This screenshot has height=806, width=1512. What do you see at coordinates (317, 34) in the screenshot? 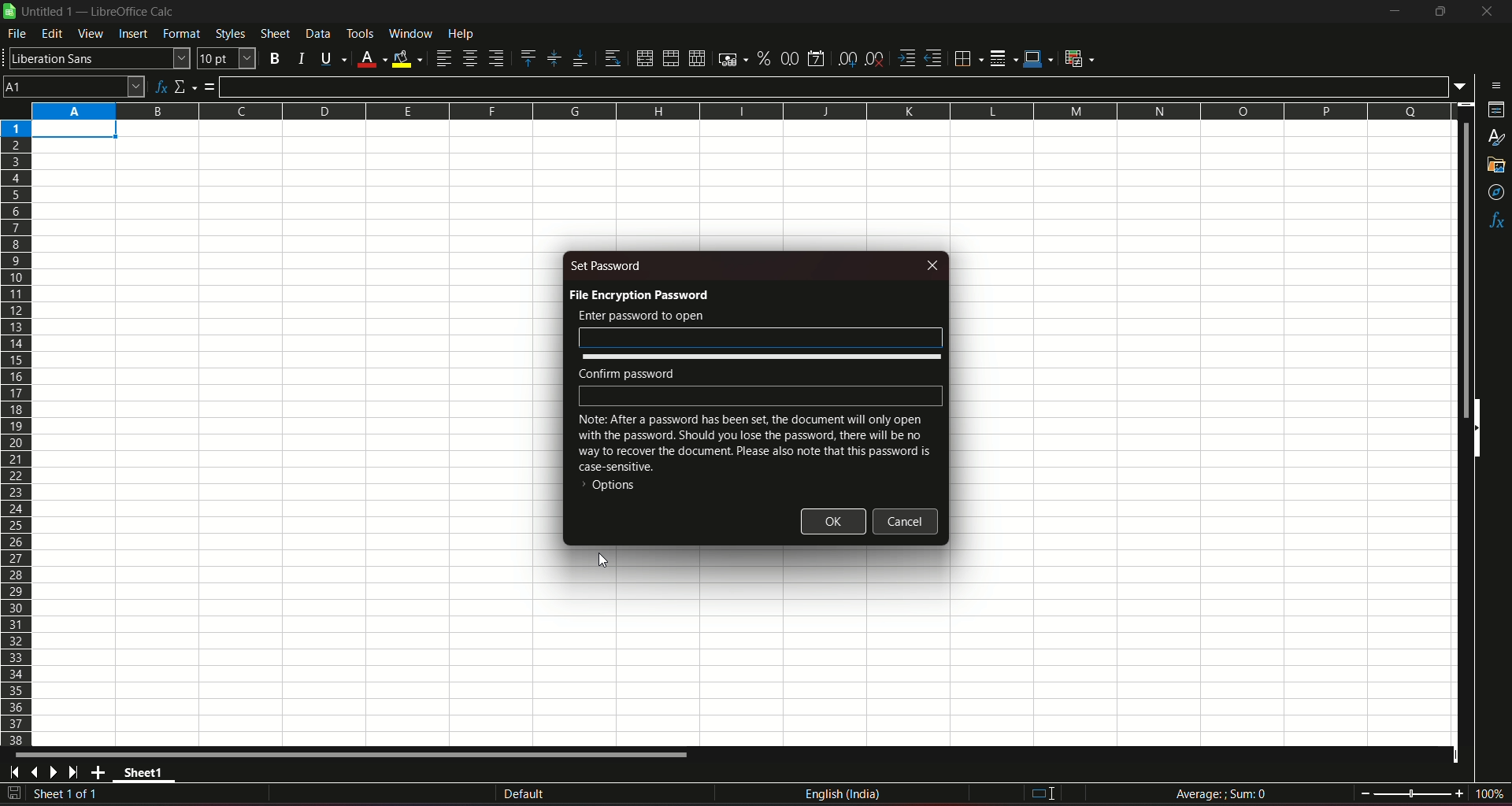
I see `data` at bounding box center [317, 34].